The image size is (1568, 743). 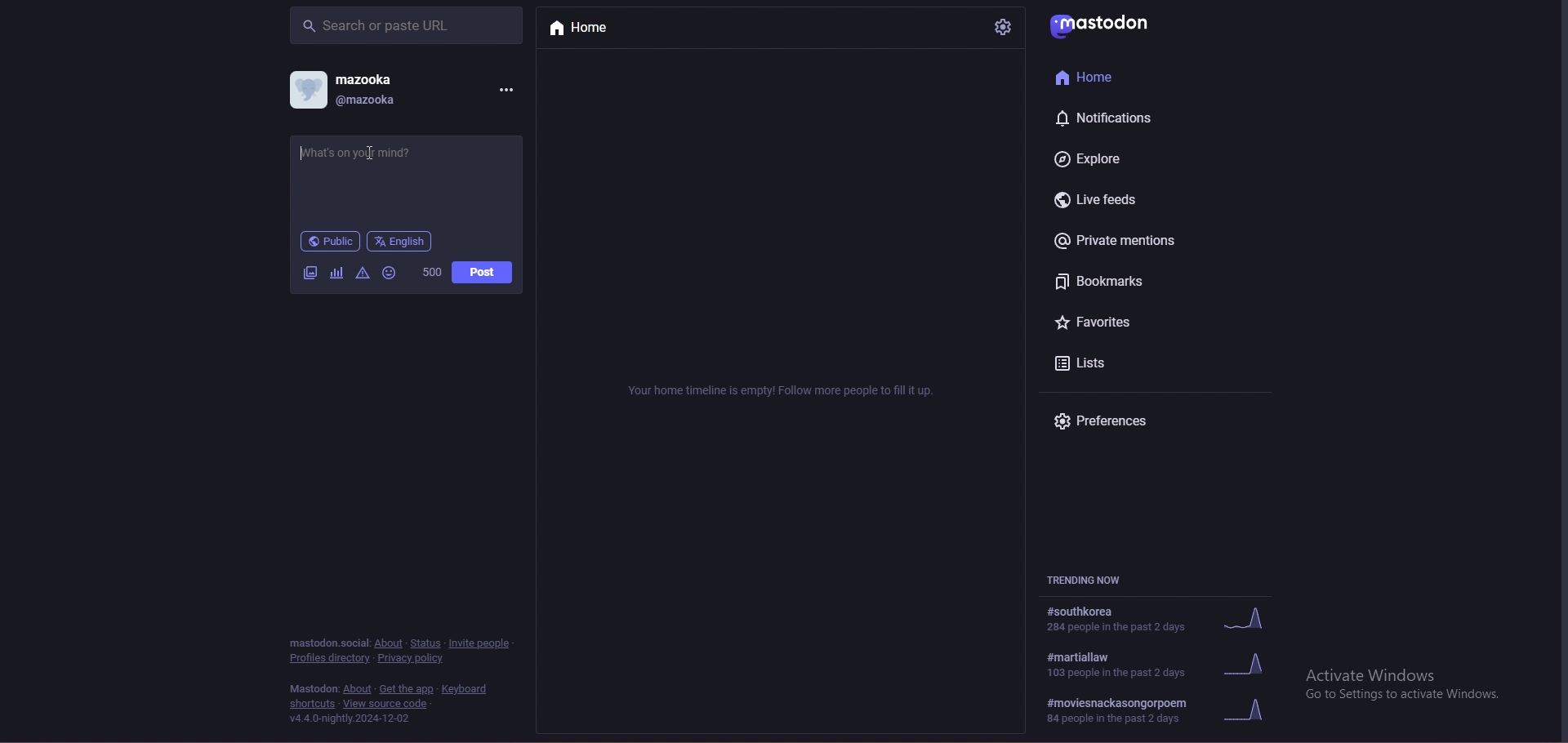 What do you see at coordinates (510, 89) in the screenshot?
I see `options` at bounding box center [510, 89].